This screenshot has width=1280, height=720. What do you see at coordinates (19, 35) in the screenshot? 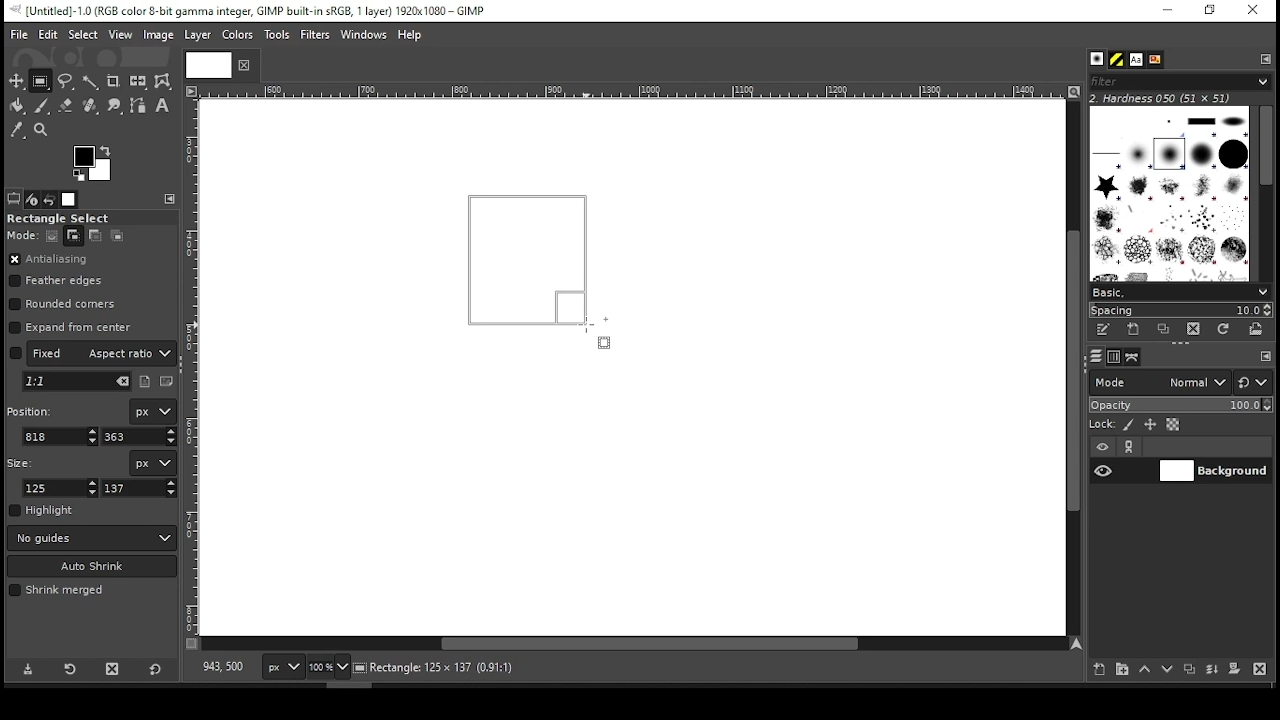
I see `file` at bounding box center [19, 35].